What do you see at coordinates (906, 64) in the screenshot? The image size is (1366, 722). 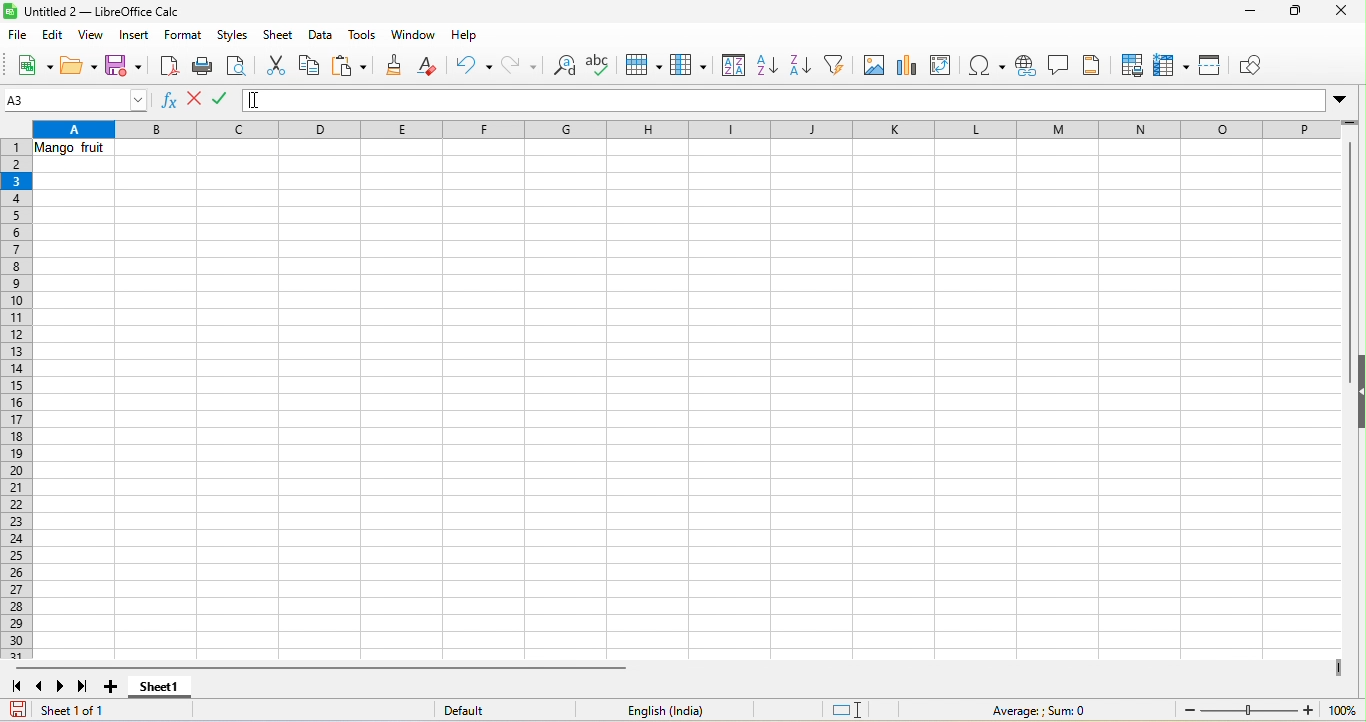 I see `chart` at bounding box center [906, 64].